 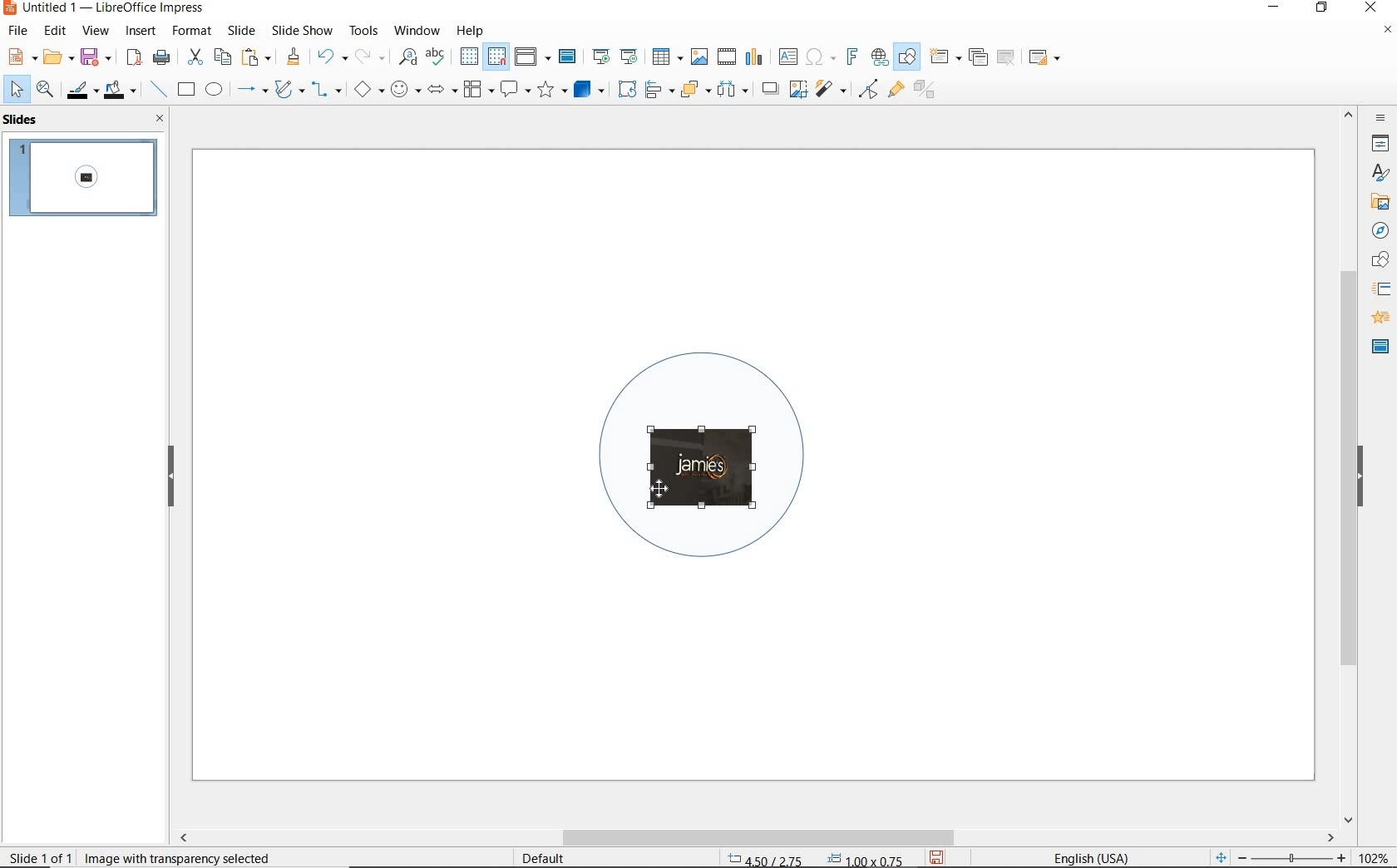 What do you see at coordinates (817, 55) in the screenshot?
I see `insert special characters` at bounding box center [817, 55].